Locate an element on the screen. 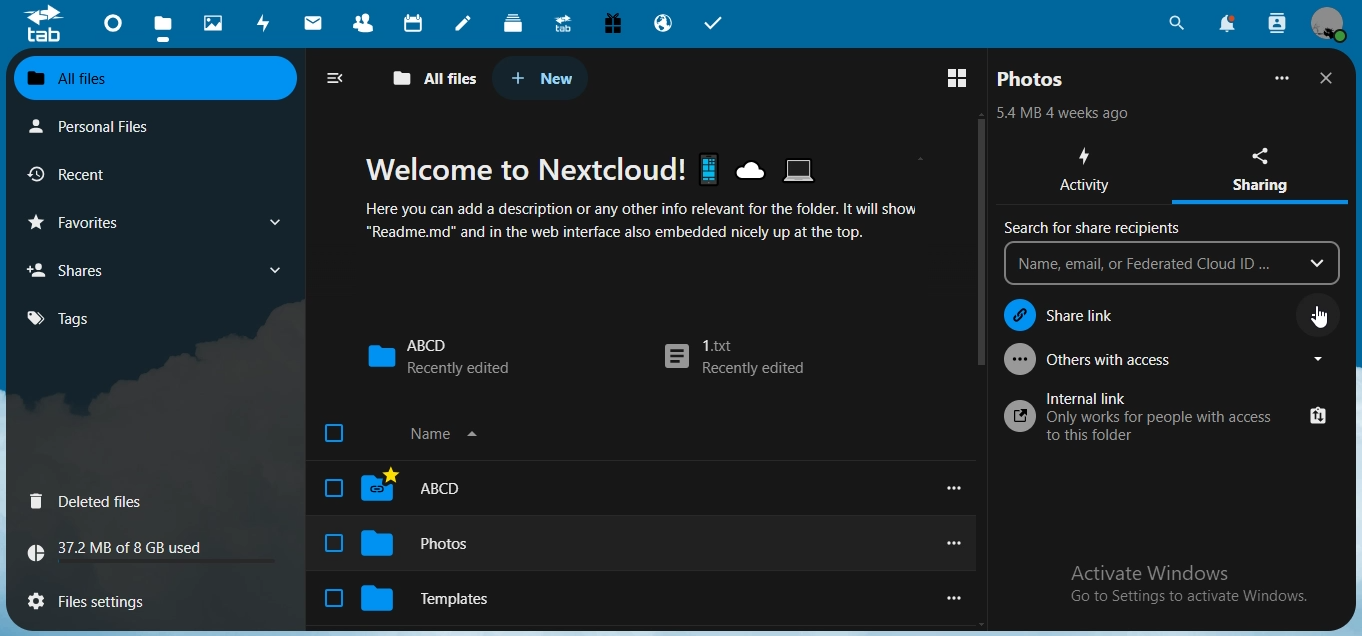 The width and height of the screenshot is (1362, 636). favourites is located at coordinates (152, 222).